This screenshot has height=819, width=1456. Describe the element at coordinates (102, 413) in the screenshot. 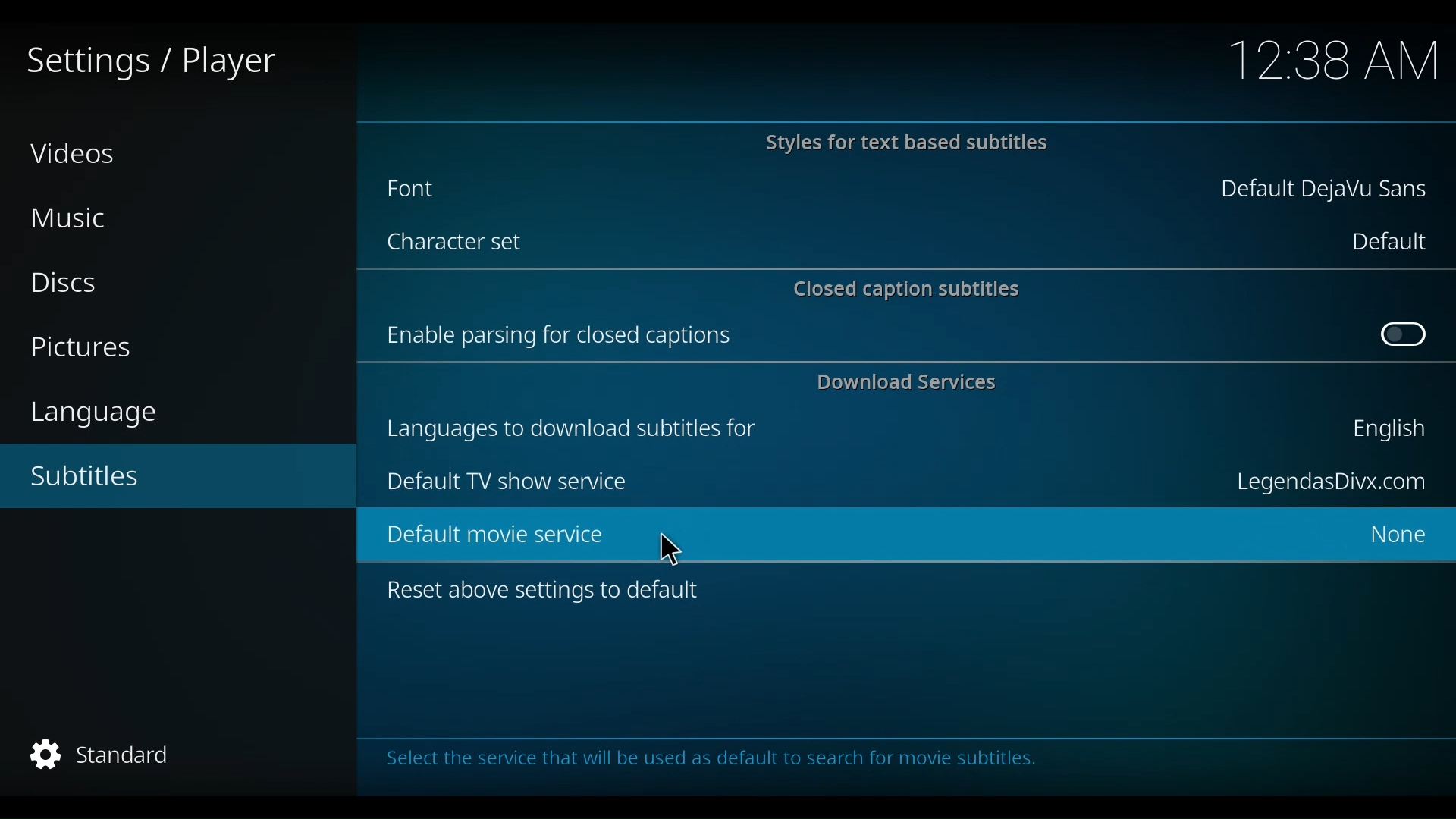

I see `language` at that location.